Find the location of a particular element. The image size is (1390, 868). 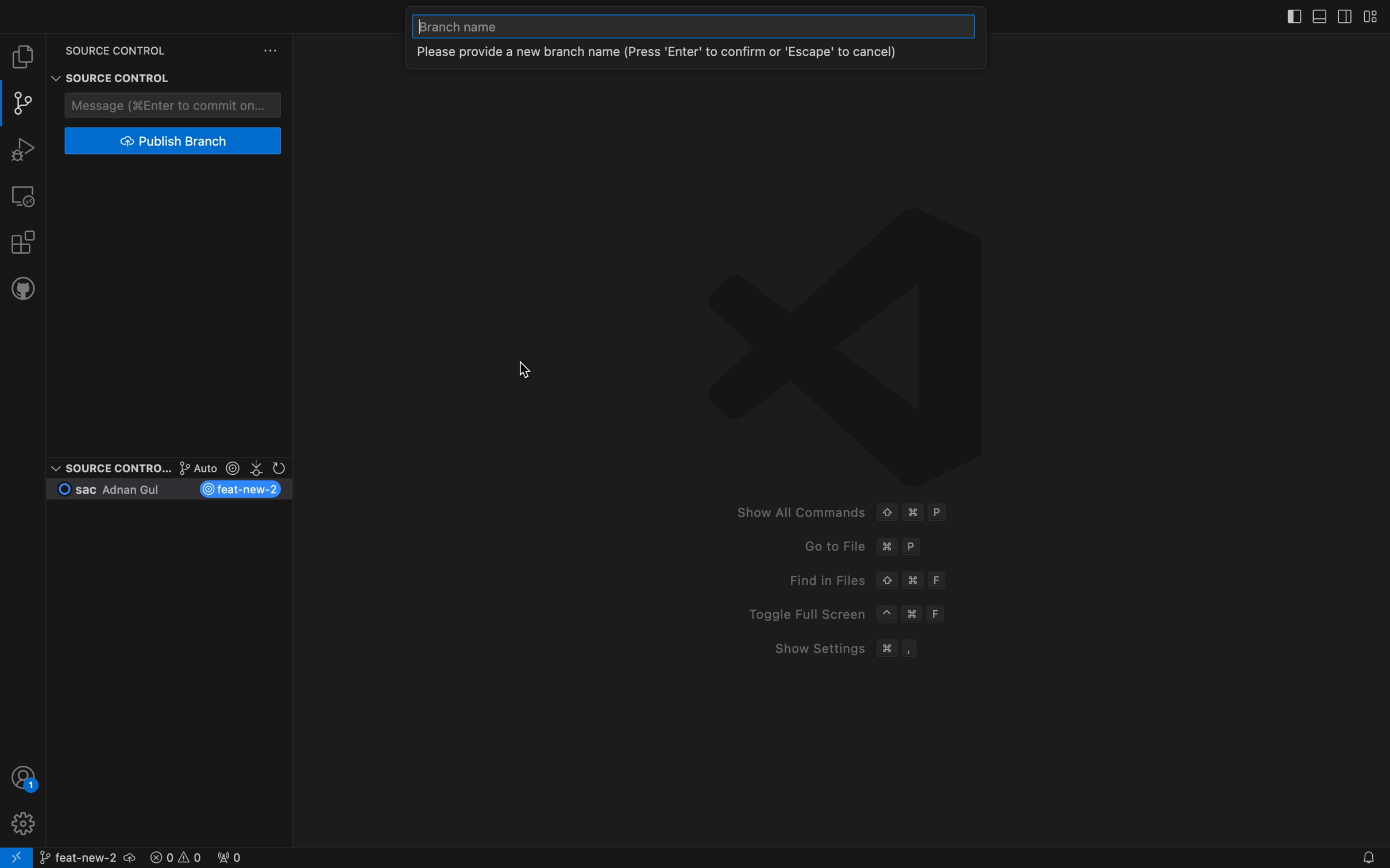

layouts is located at coordinates (1326, 15).